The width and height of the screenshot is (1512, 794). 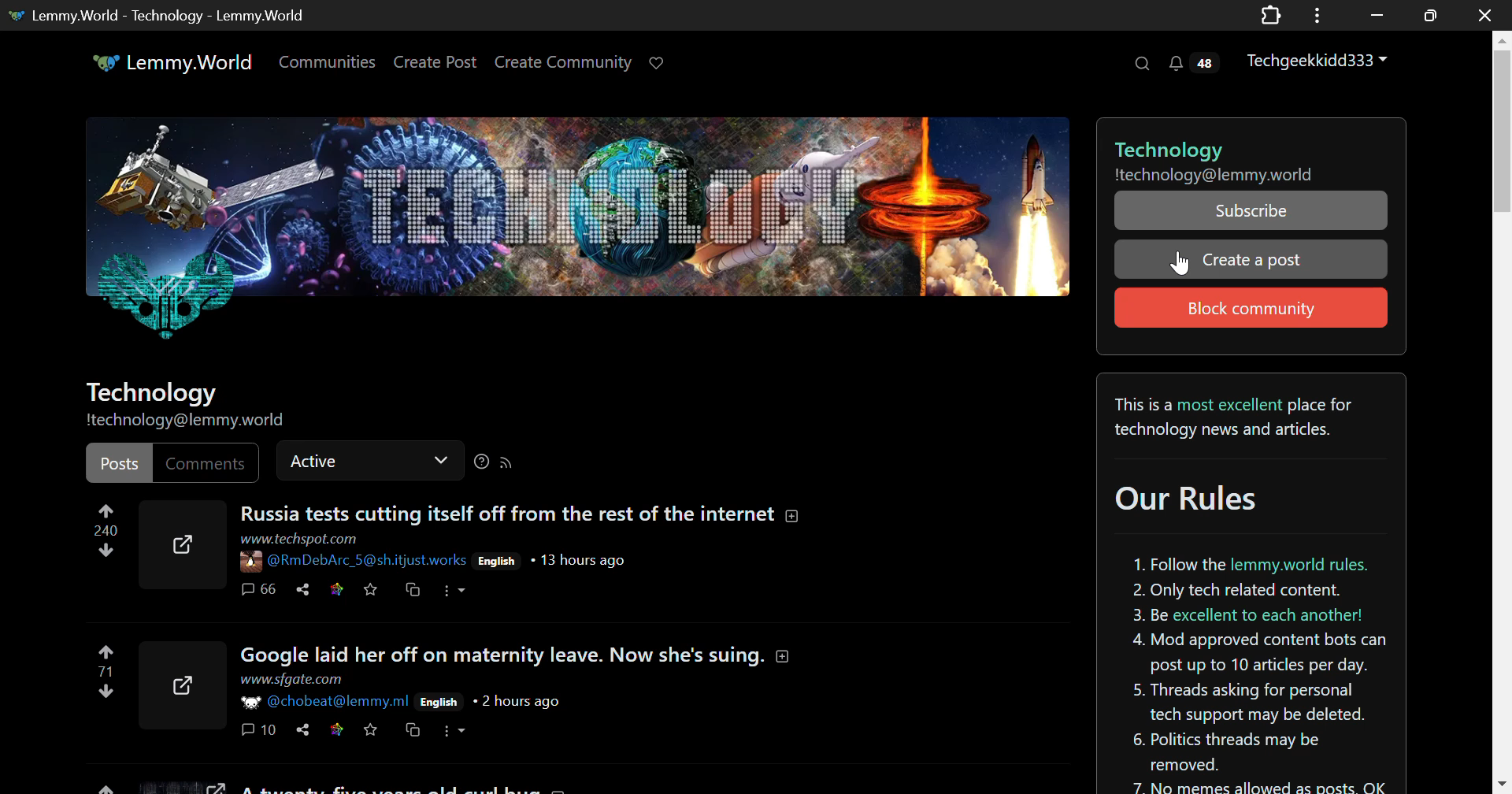 I want to click on Create Community, so click(x=566, y=63).